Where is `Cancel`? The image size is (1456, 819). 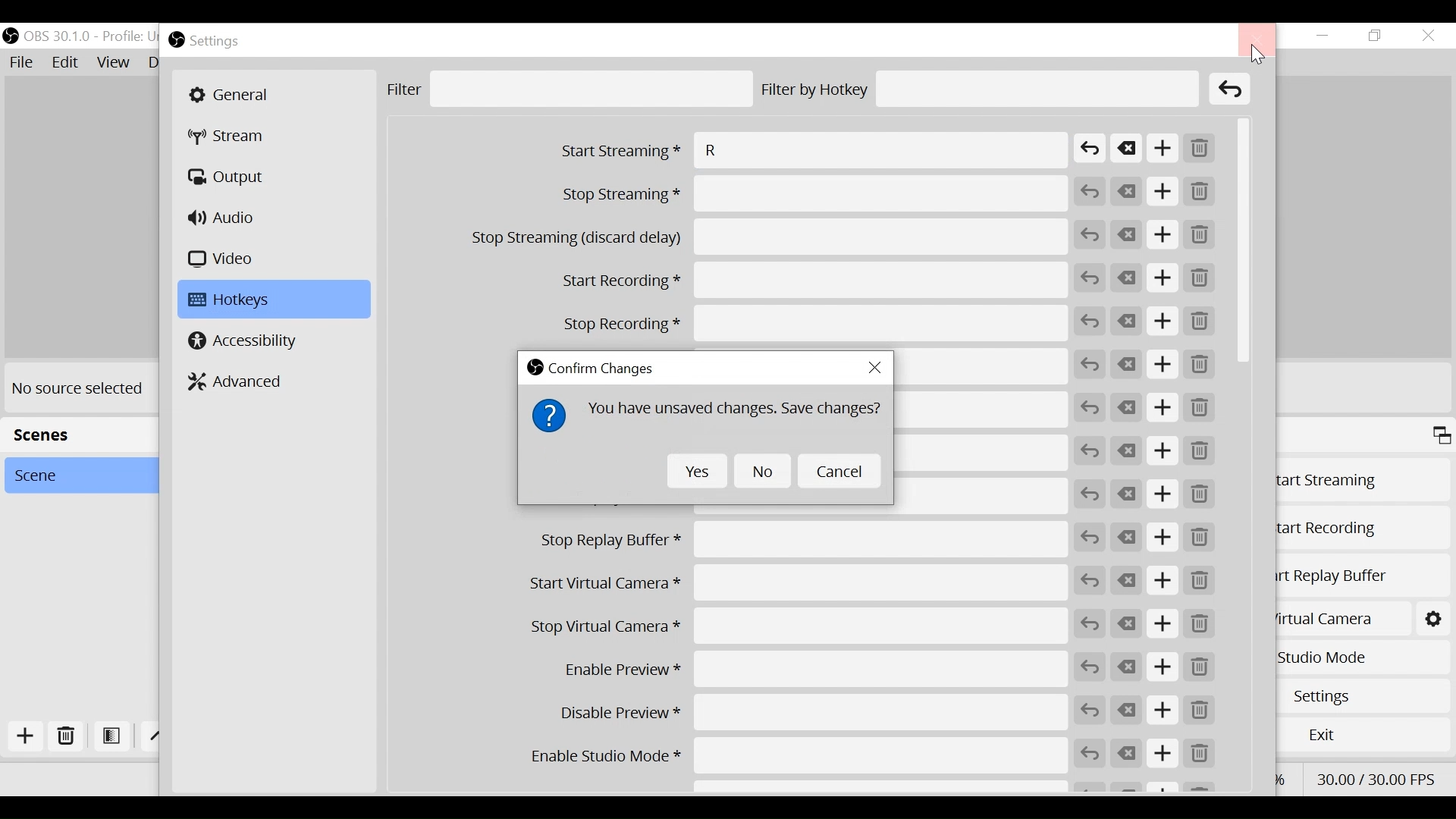 Cancel is located at coordinates (838, 471).